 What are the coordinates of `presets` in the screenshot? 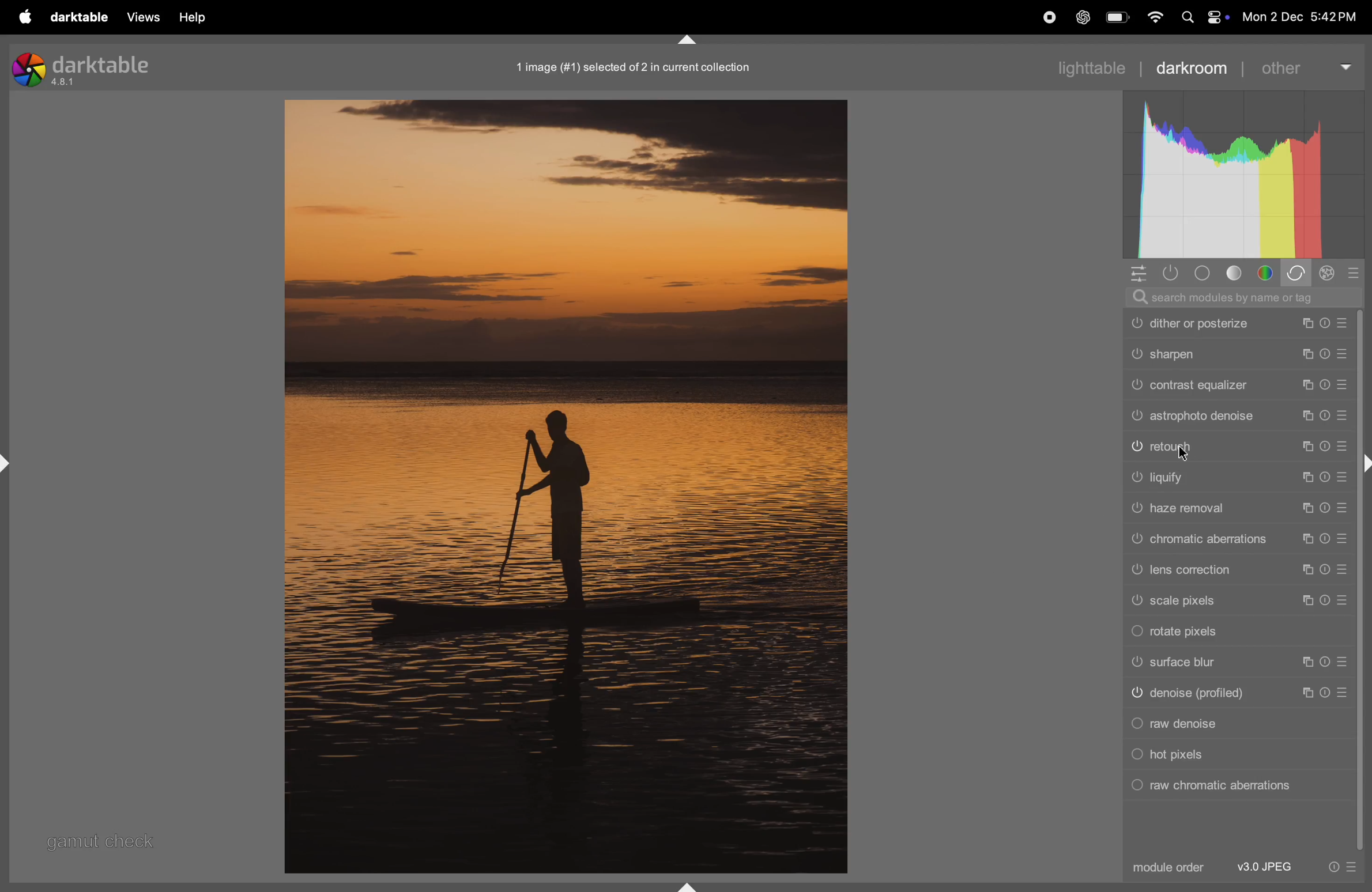 It's located at (1352, 273).